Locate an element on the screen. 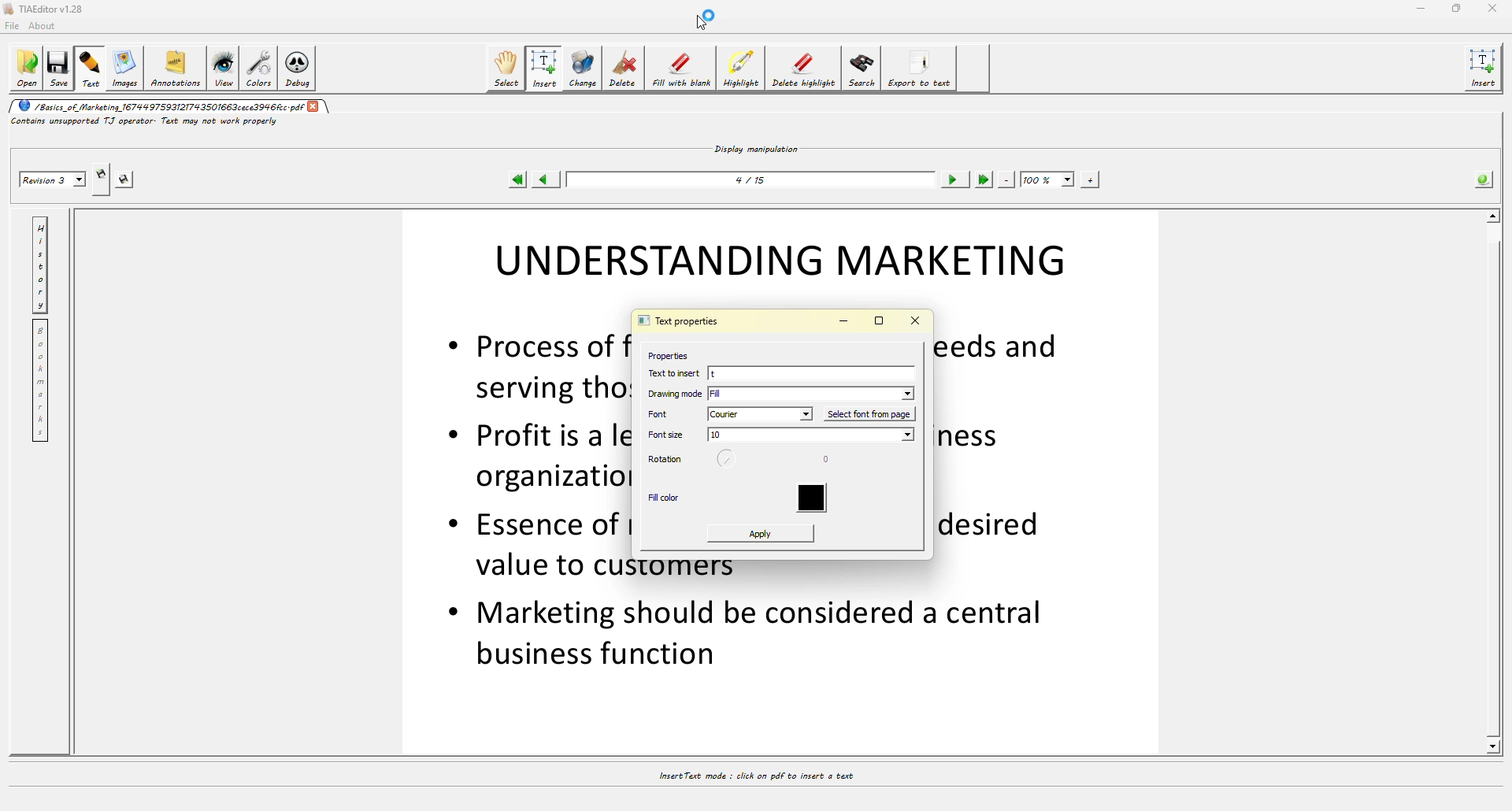 This screenshot has width=1512, height=811. delete is located at coordinates (624, 67).